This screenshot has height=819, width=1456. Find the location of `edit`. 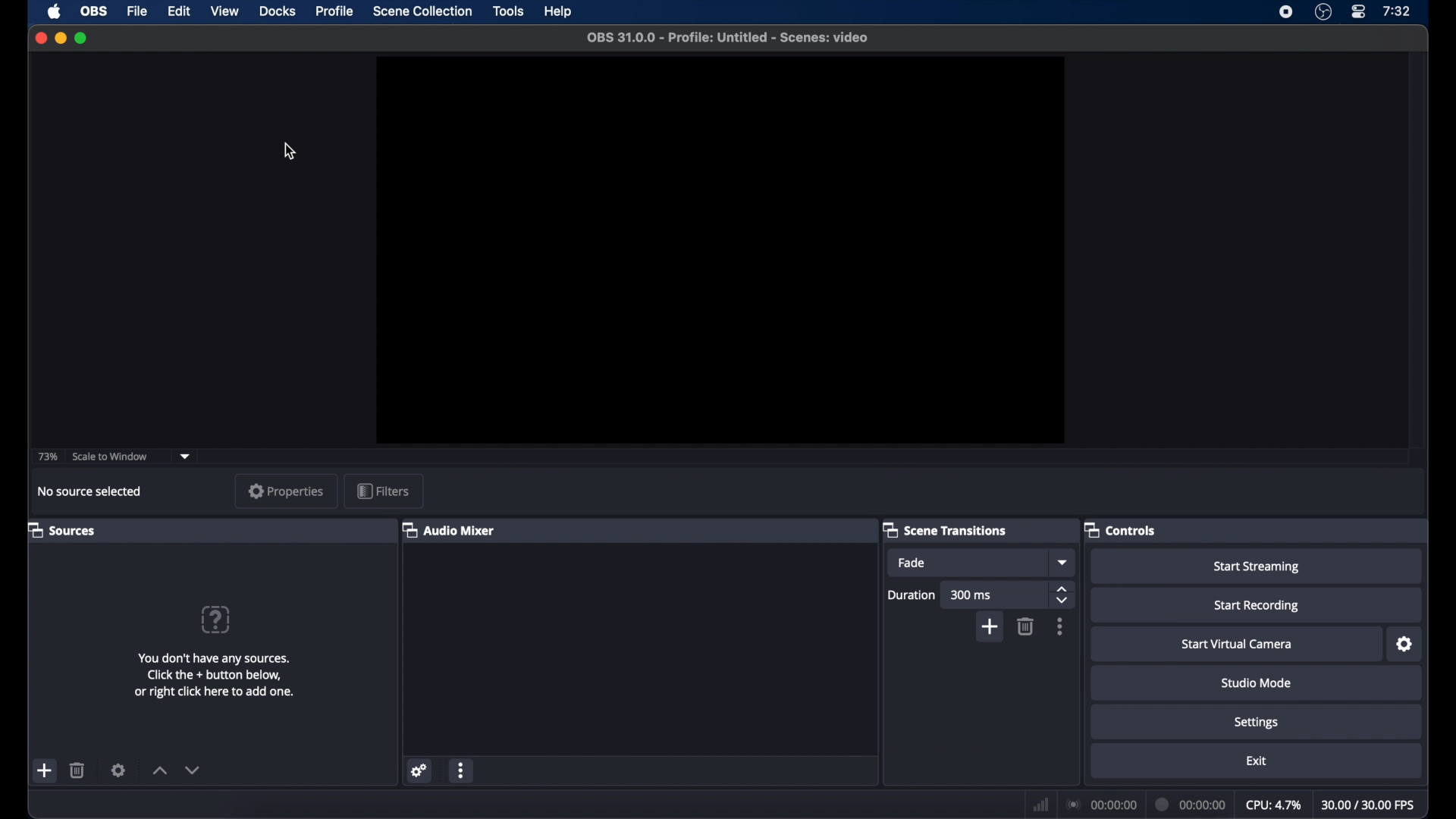

edit is located at coordinates (179, 10).